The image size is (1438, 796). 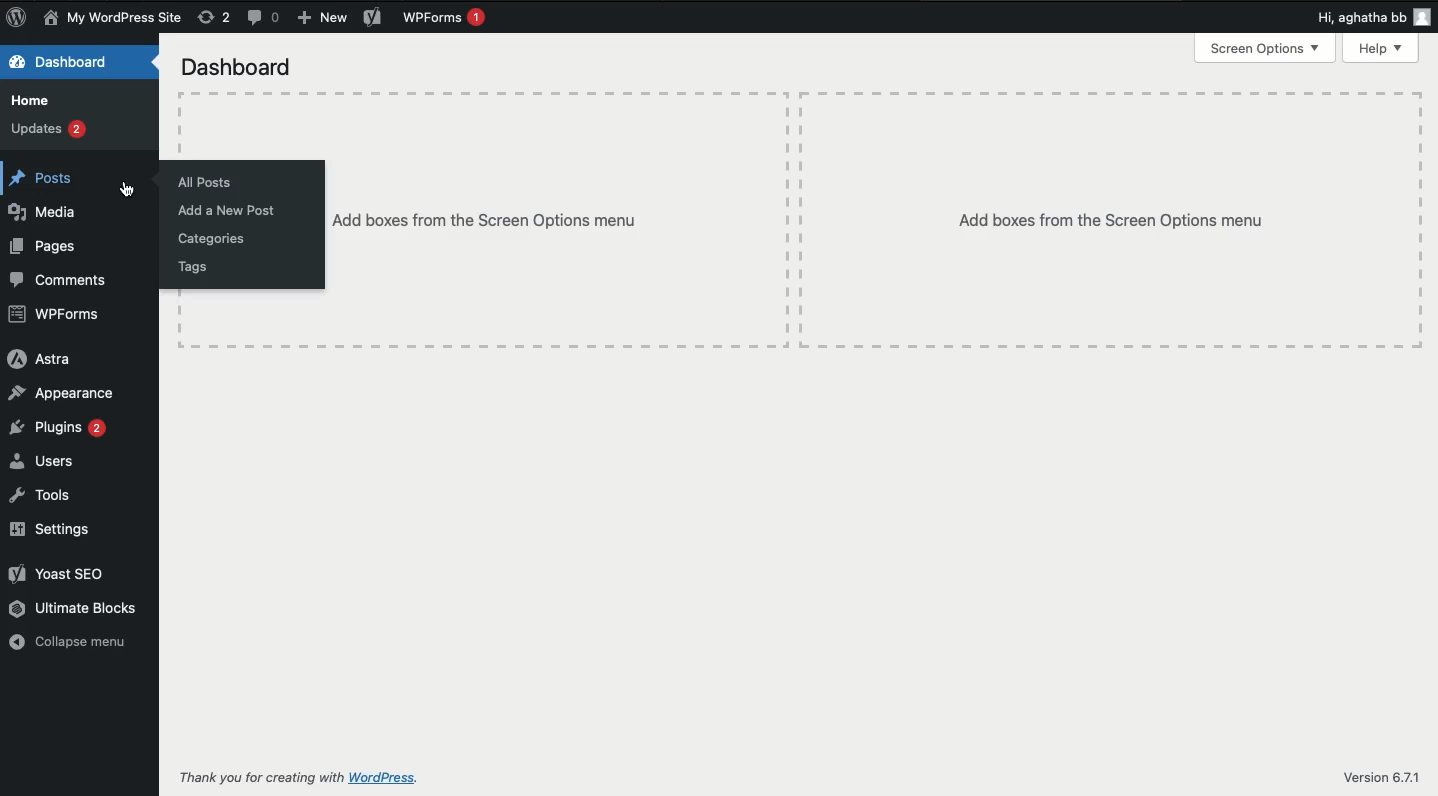 What do you see at coordinates (44, 495) in the screenshot?
I see `Tools` at bounding box center [44, 495].